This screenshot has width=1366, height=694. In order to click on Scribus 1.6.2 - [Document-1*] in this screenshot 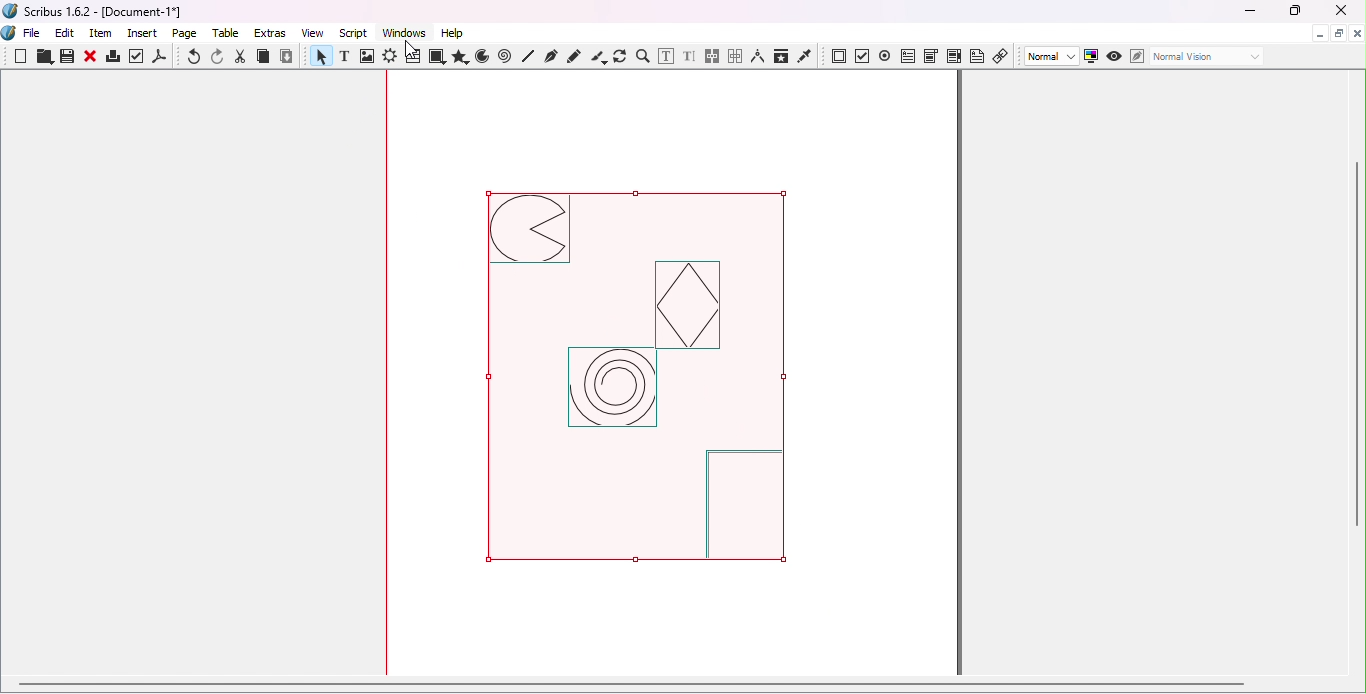, I will do `click(101, 13)`.